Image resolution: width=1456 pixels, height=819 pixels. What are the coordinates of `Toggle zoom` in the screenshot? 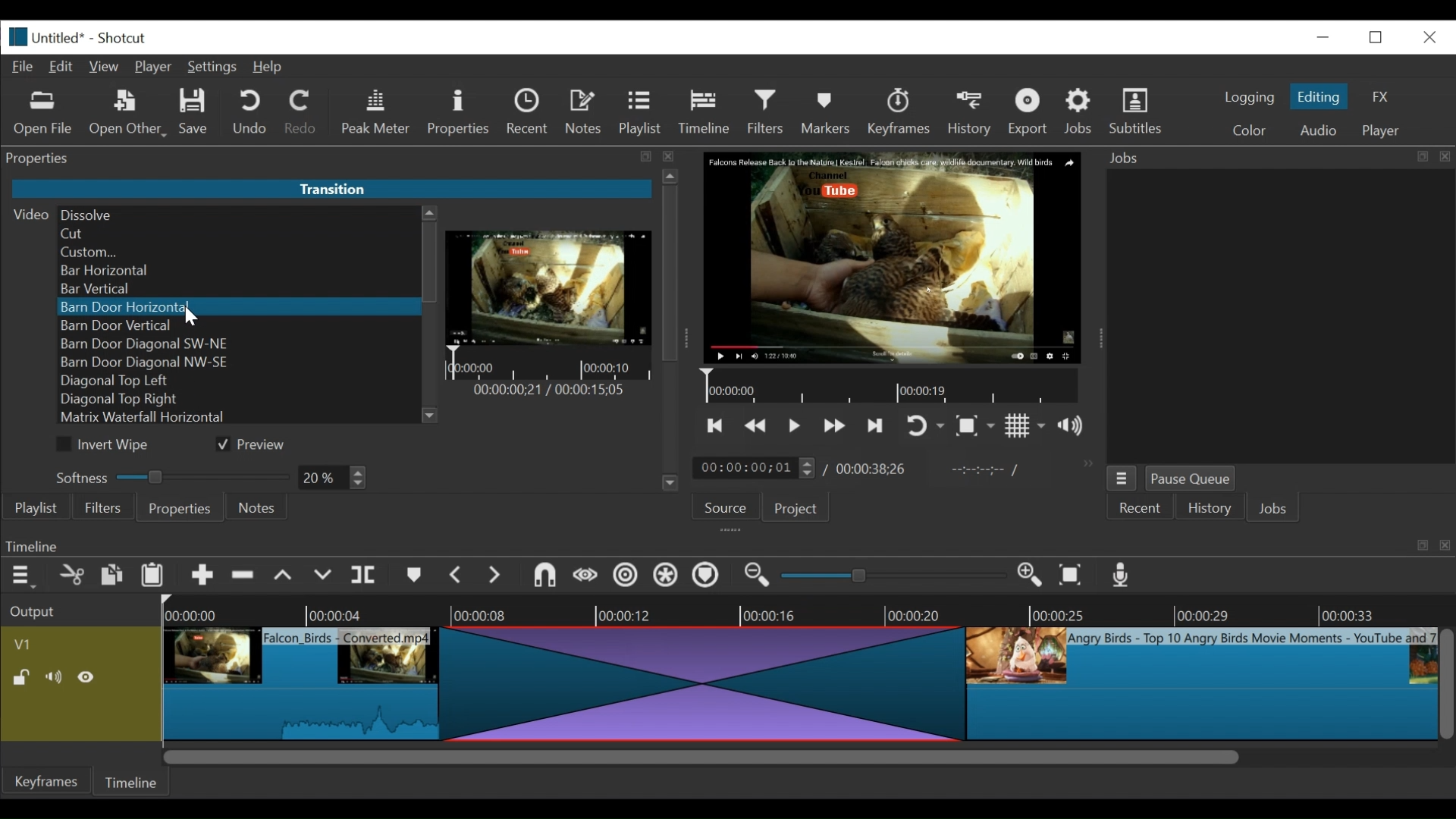 It's located at (974, 427).